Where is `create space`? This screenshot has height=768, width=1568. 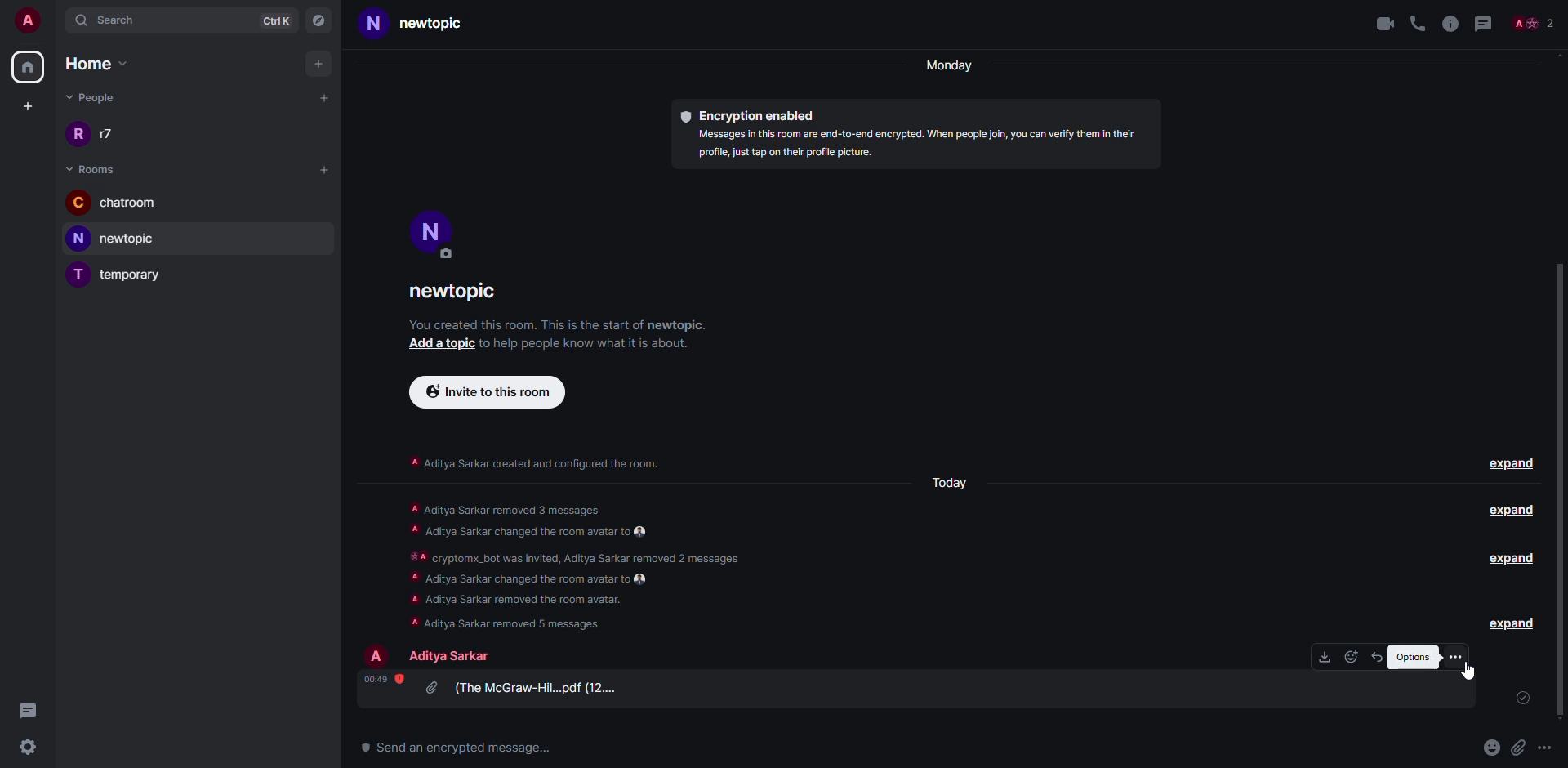
create space is located at coordinates (25, 105).